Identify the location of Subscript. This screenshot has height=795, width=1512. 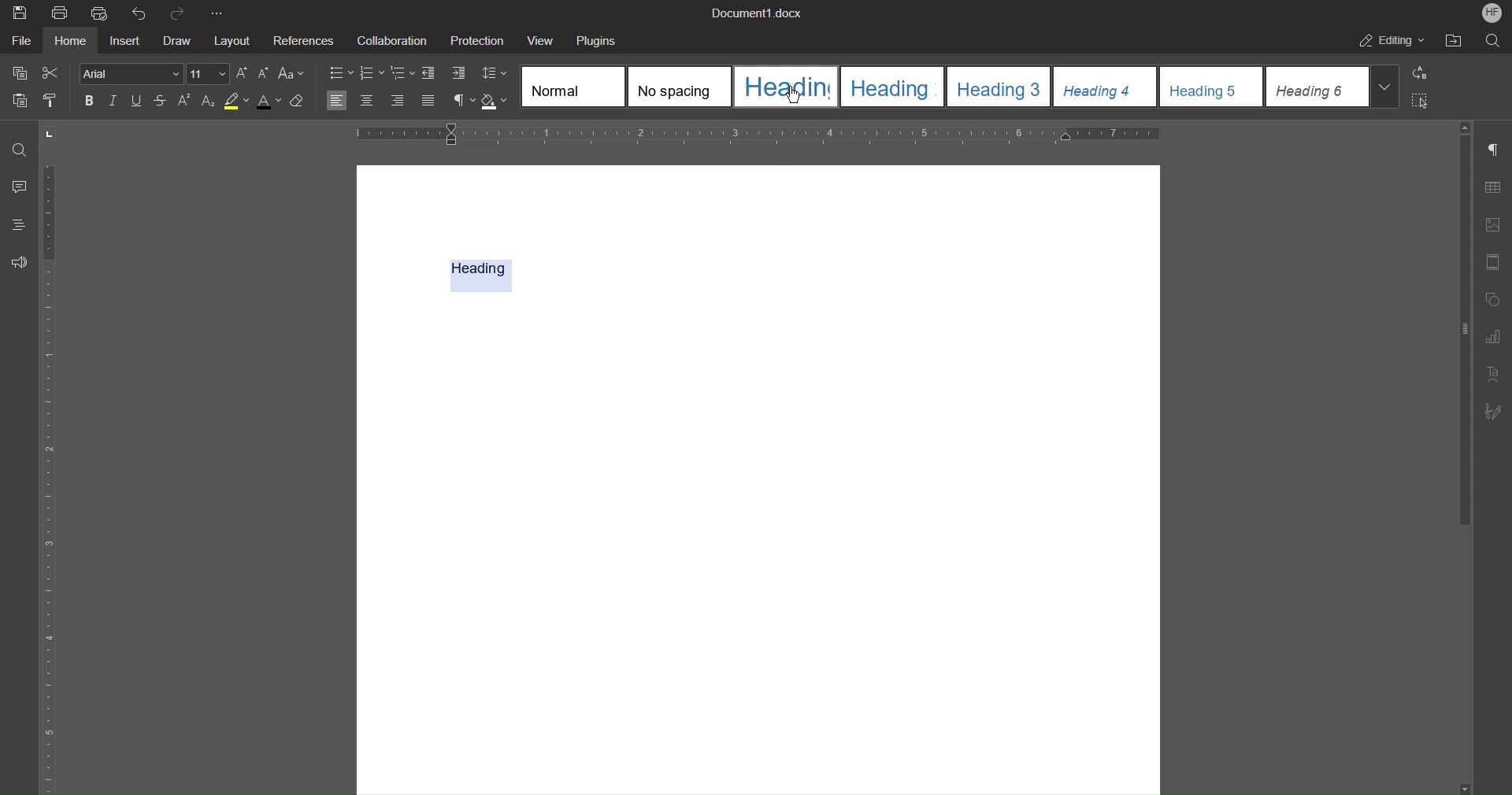
(210, 103).